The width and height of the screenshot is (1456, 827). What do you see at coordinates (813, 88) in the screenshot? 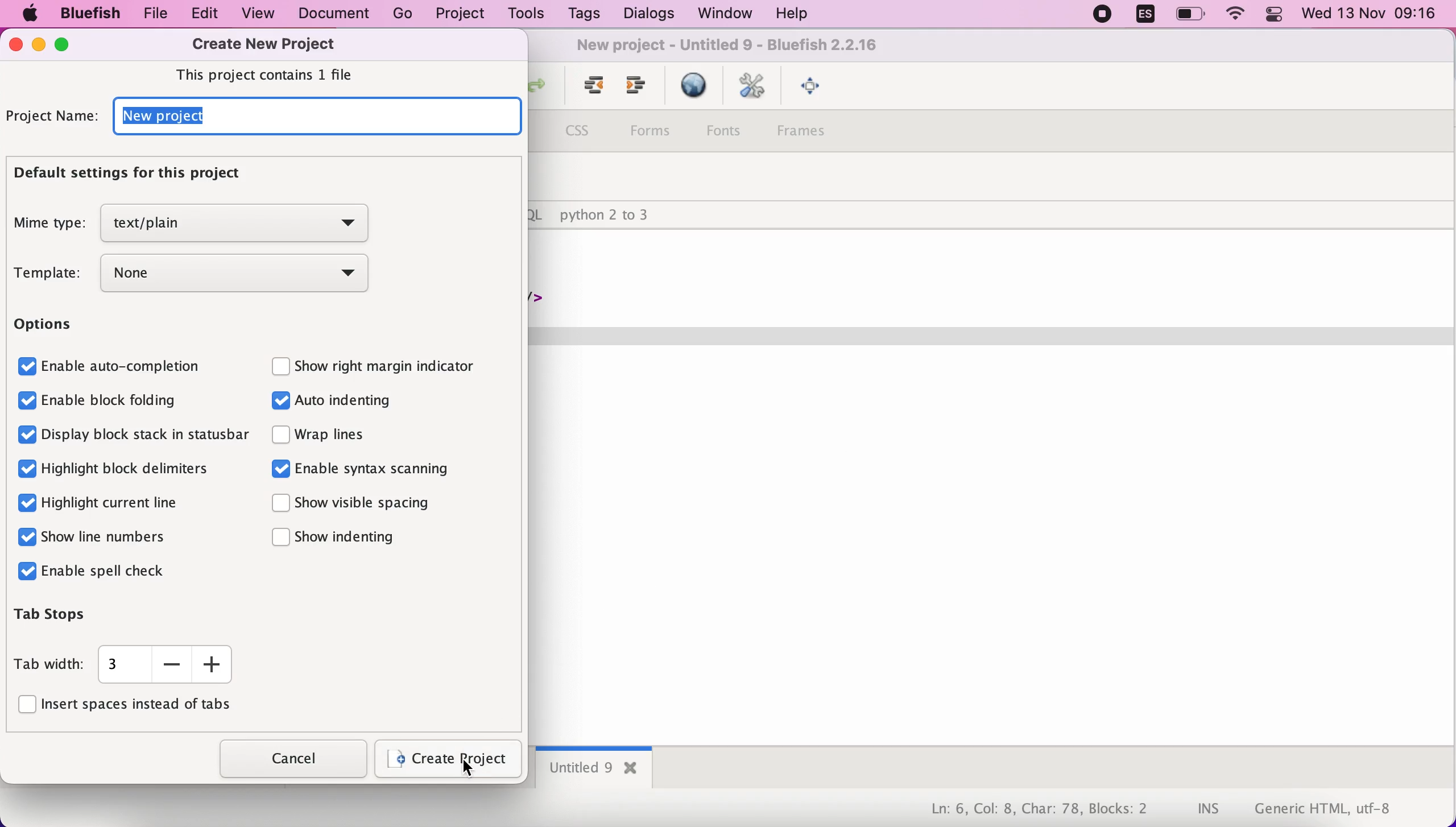
I see `full screen` at bounding box center [813, 88].